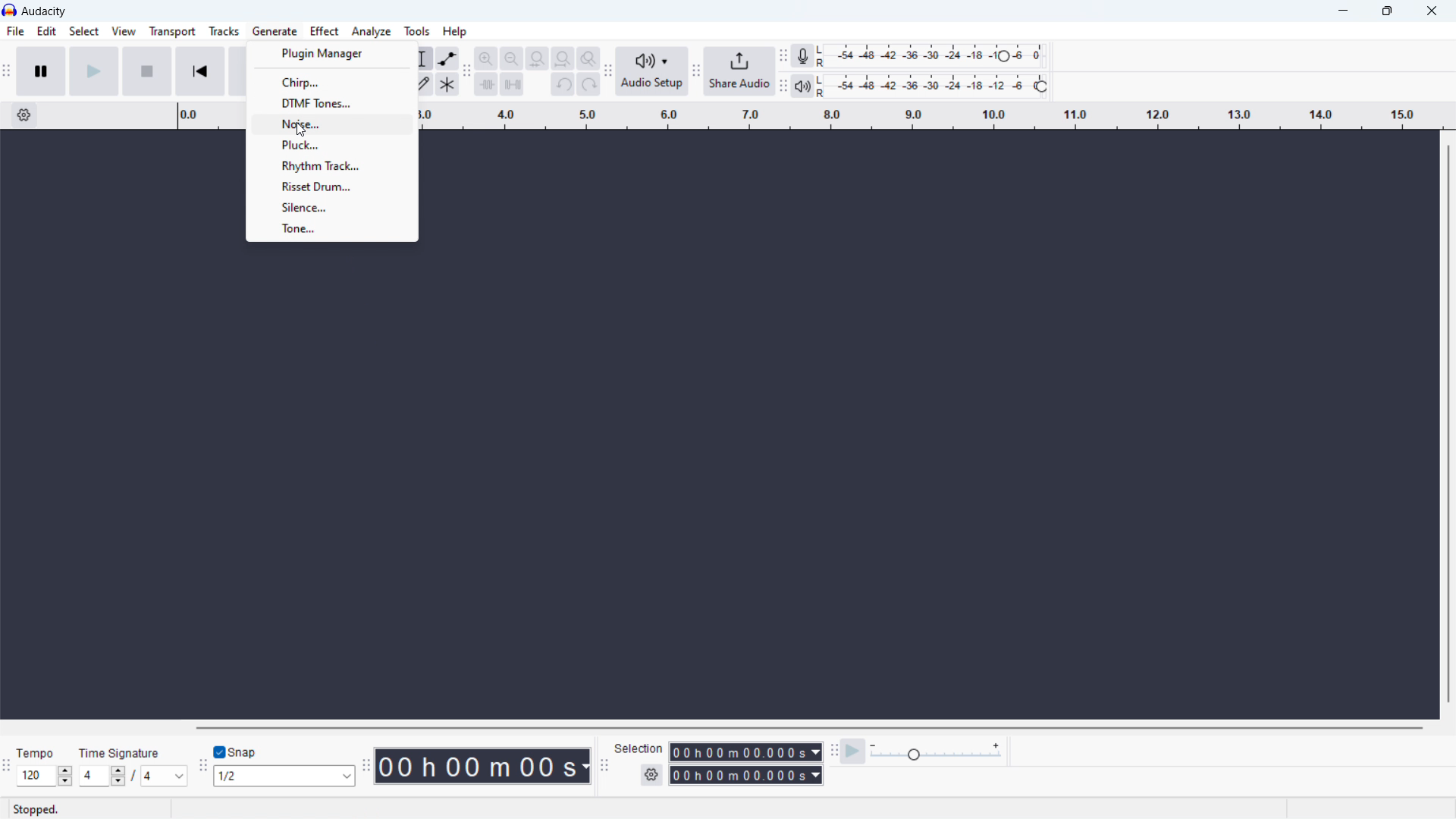 This screenshot has width=1456, height=819. I want to click on transport, so click(172, 32).